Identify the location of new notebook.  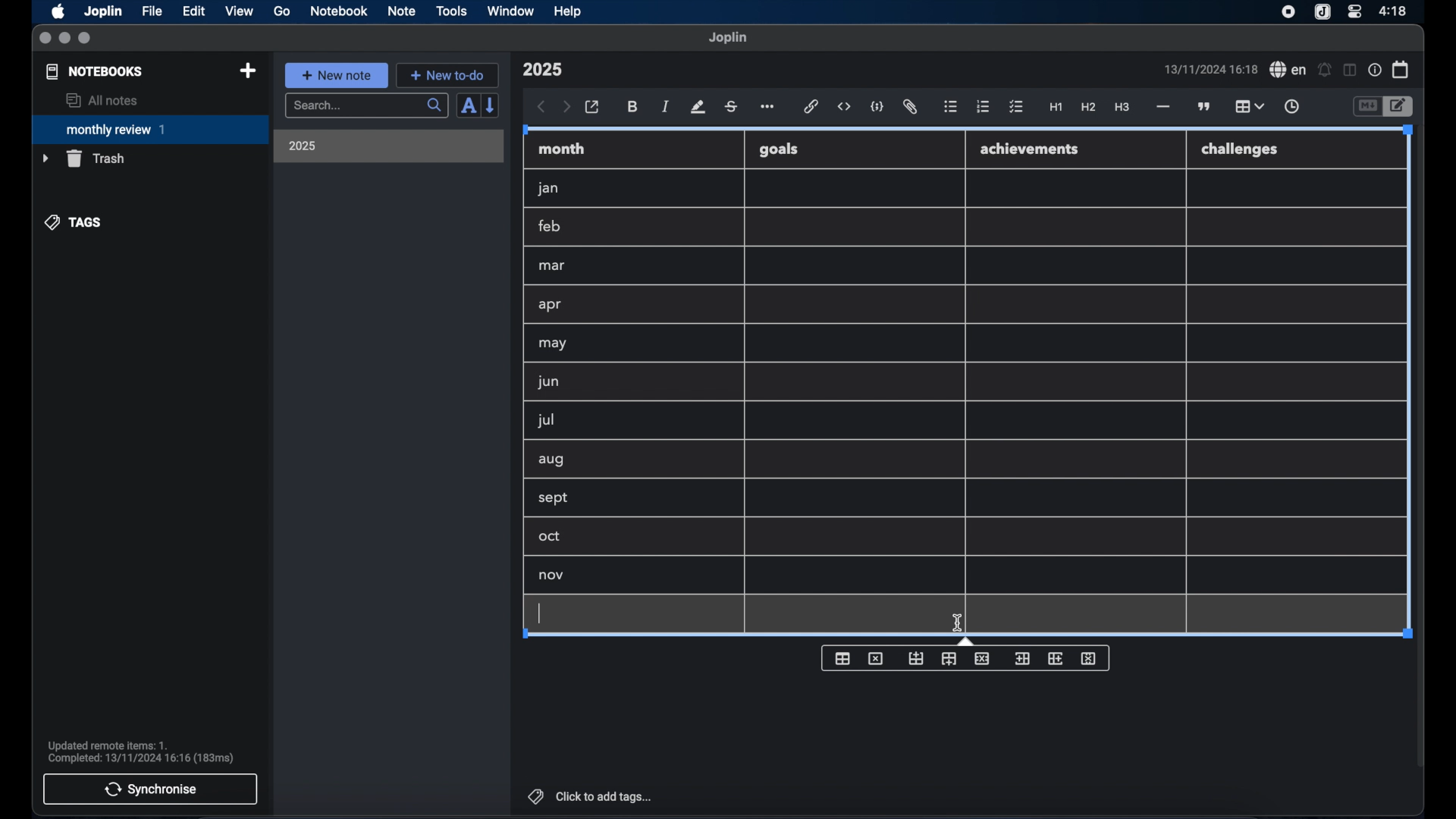
(247, 71).